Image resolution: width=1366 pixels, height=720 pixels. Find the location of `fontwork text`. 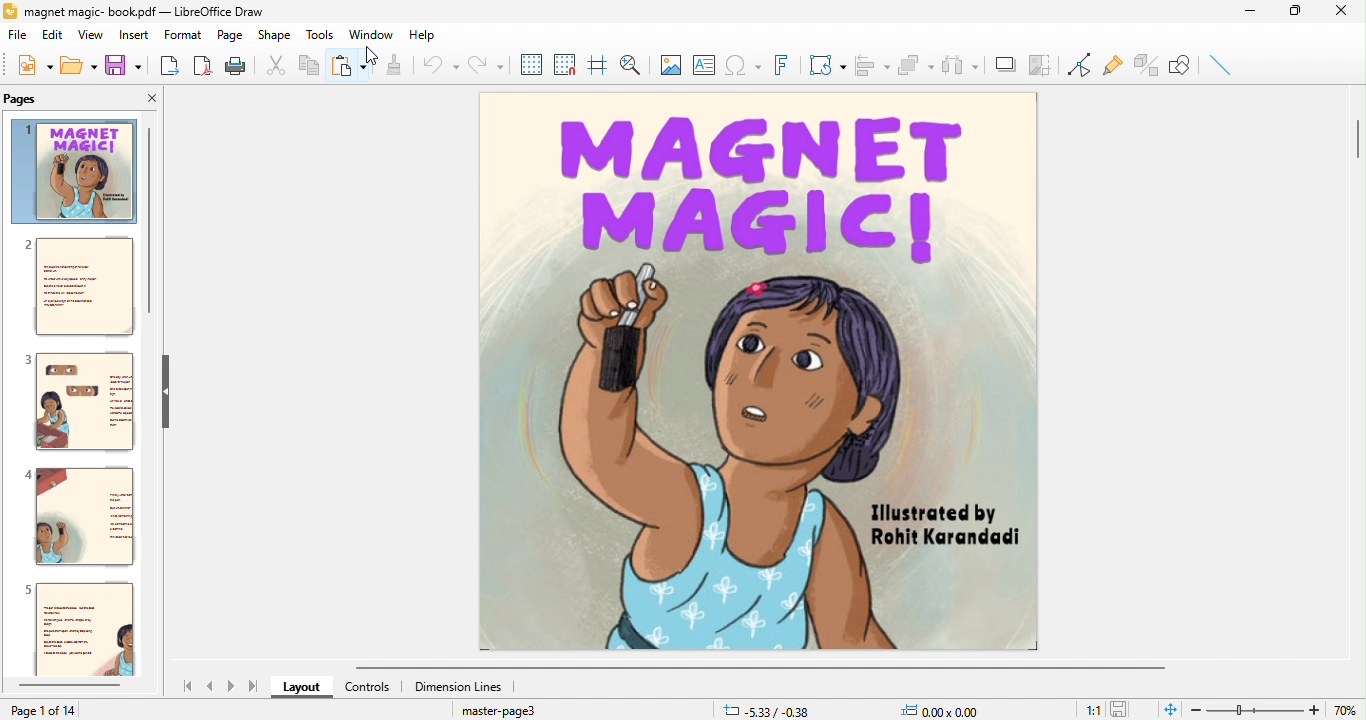

fontwork text is located at coordinates (780, 66).